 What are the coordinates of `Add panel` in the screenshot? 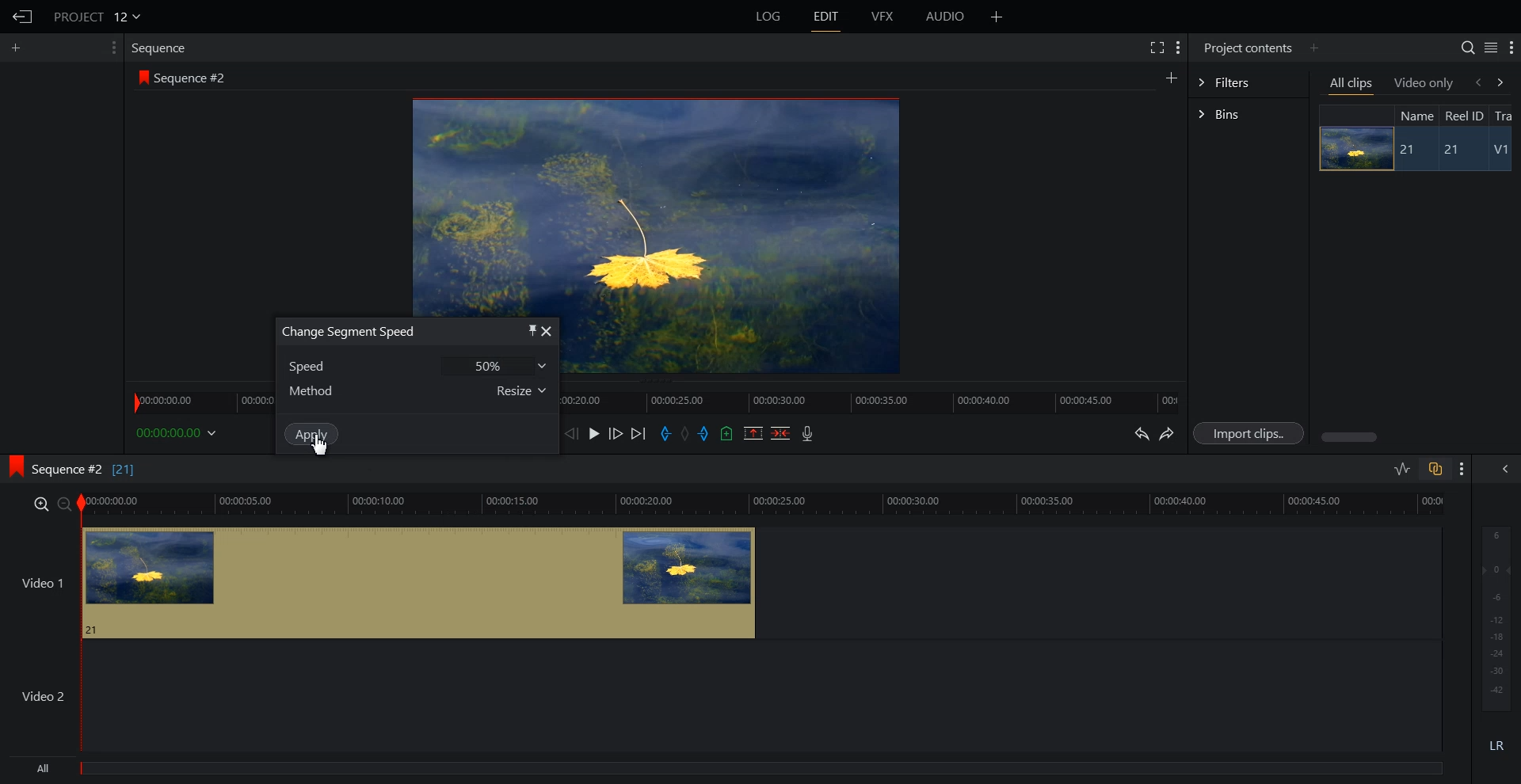 It's located at (1313, 48).